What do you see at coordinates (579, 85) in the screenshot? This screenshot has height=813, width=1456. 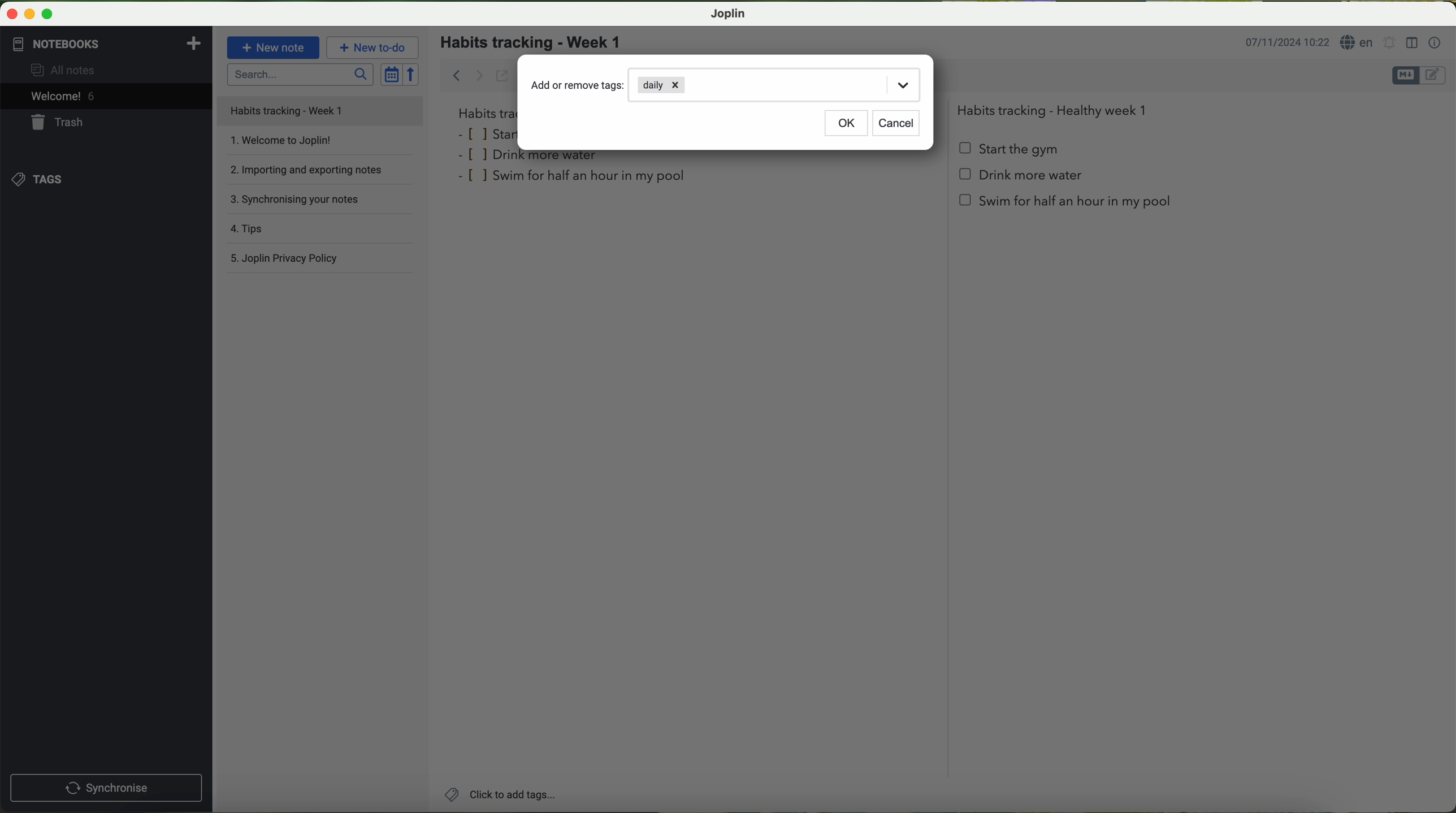 I see `add or remove tags` at bounding box center [579, 85].